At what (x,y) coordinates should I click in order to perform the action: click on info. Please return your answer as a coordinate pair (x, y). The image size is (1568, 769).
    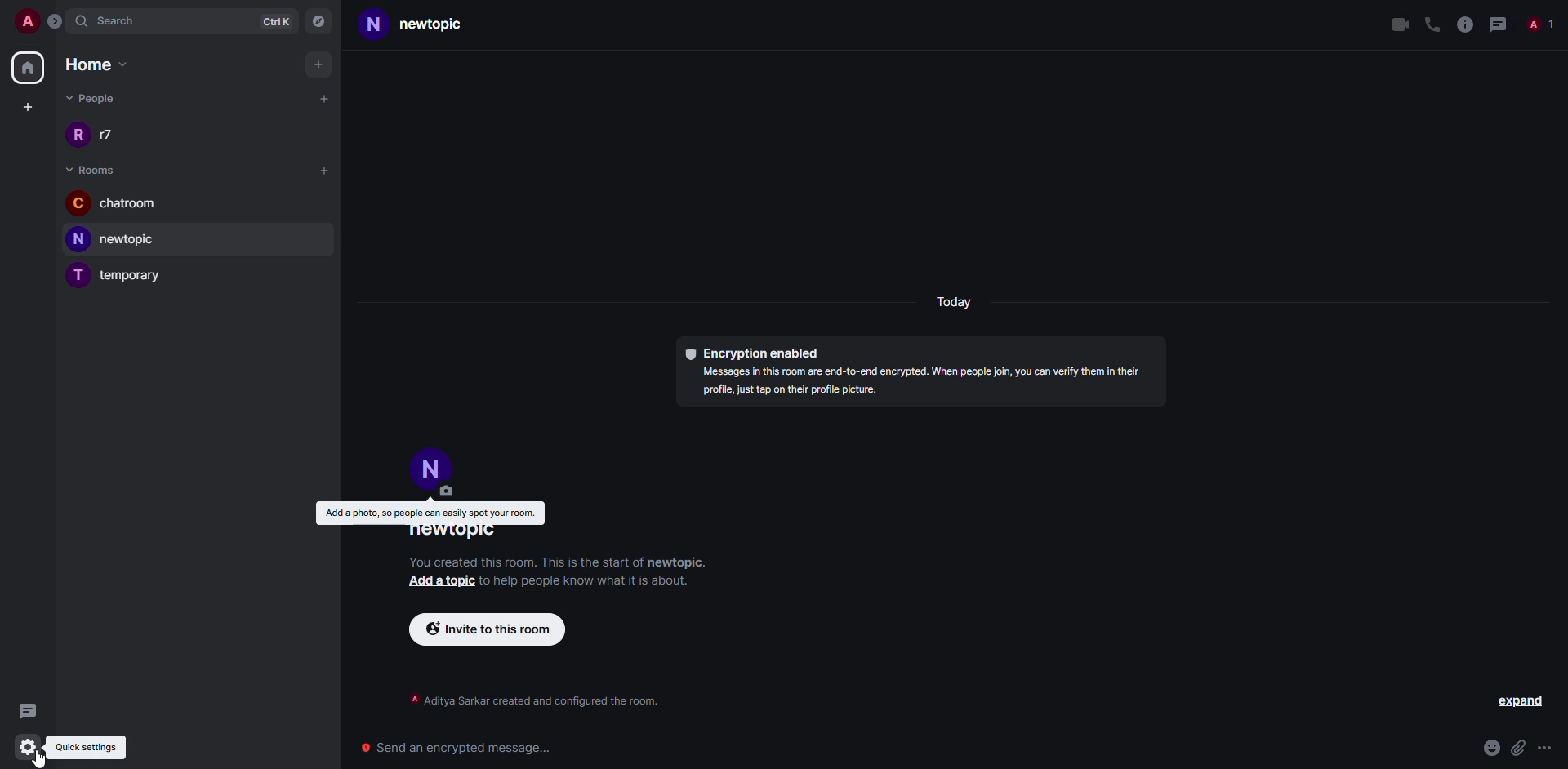
    Looking at the image, I should click on (537, 698).